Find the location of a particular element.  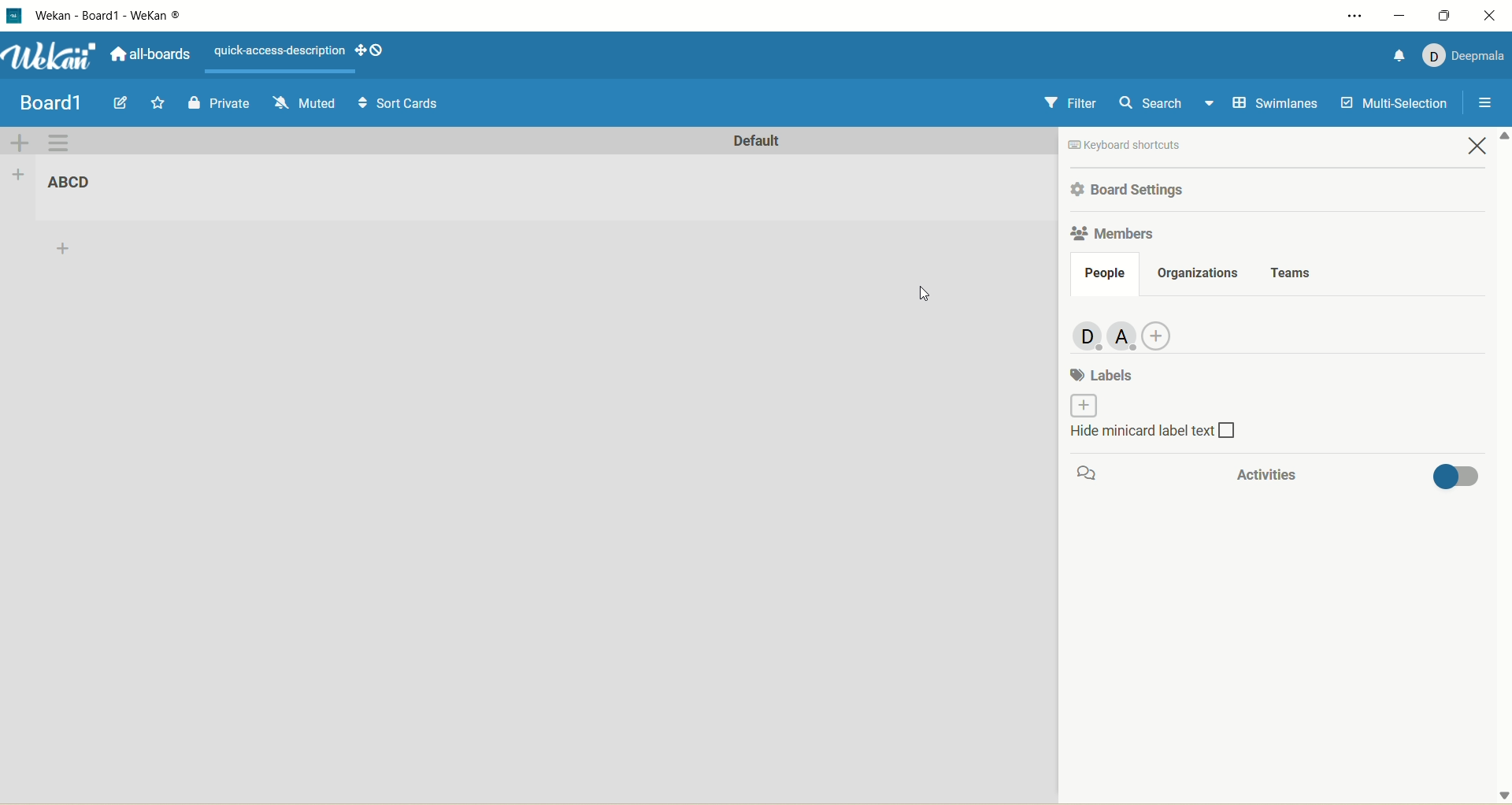

Show-desktop-drag-handles is located at coordinates (380, 50).